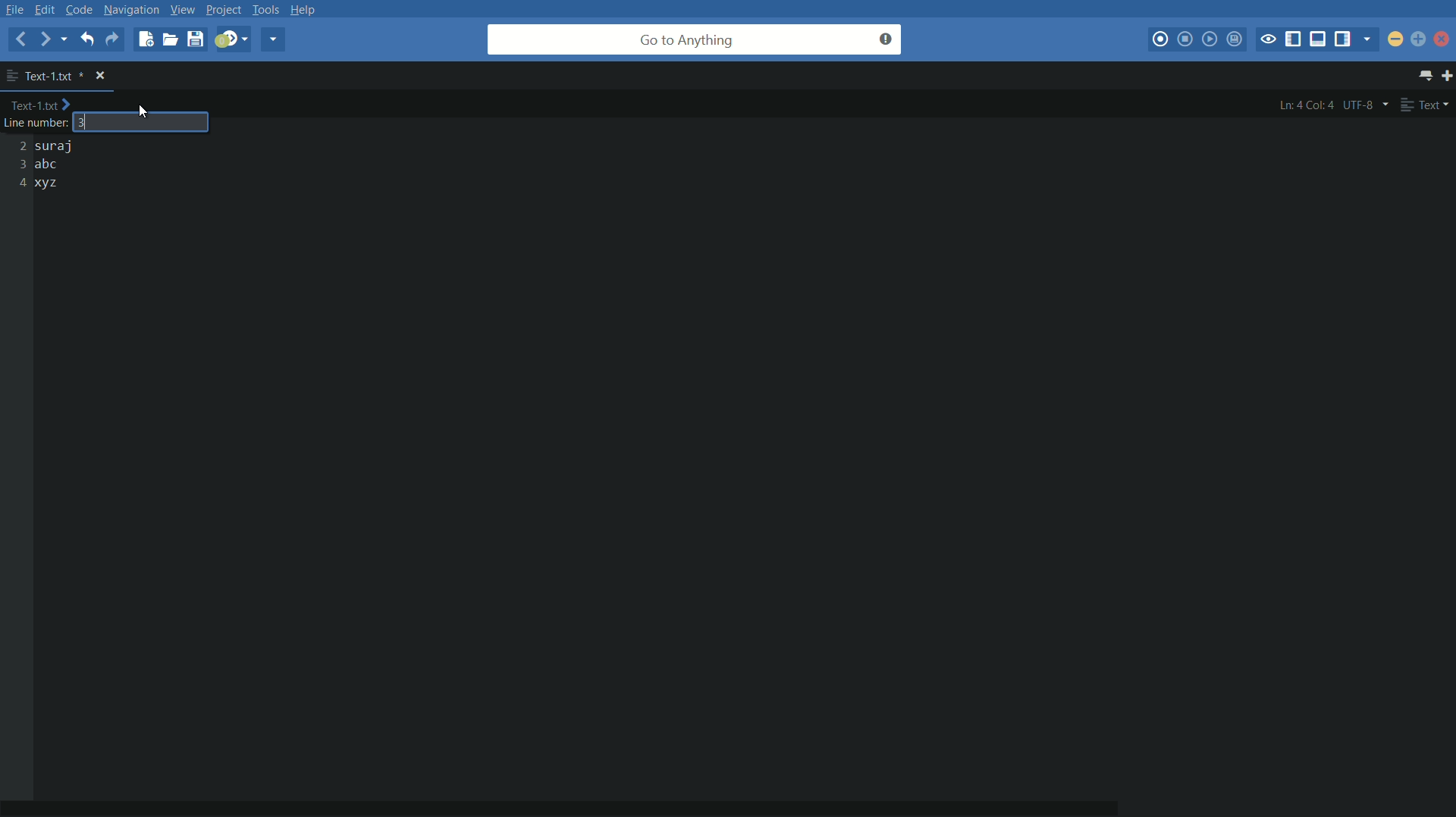 This screenshot has width=1456, height=817. What do you see at coordinates (180, 9) in the screenshot?
I see `view` at bounding box center [180, 9].